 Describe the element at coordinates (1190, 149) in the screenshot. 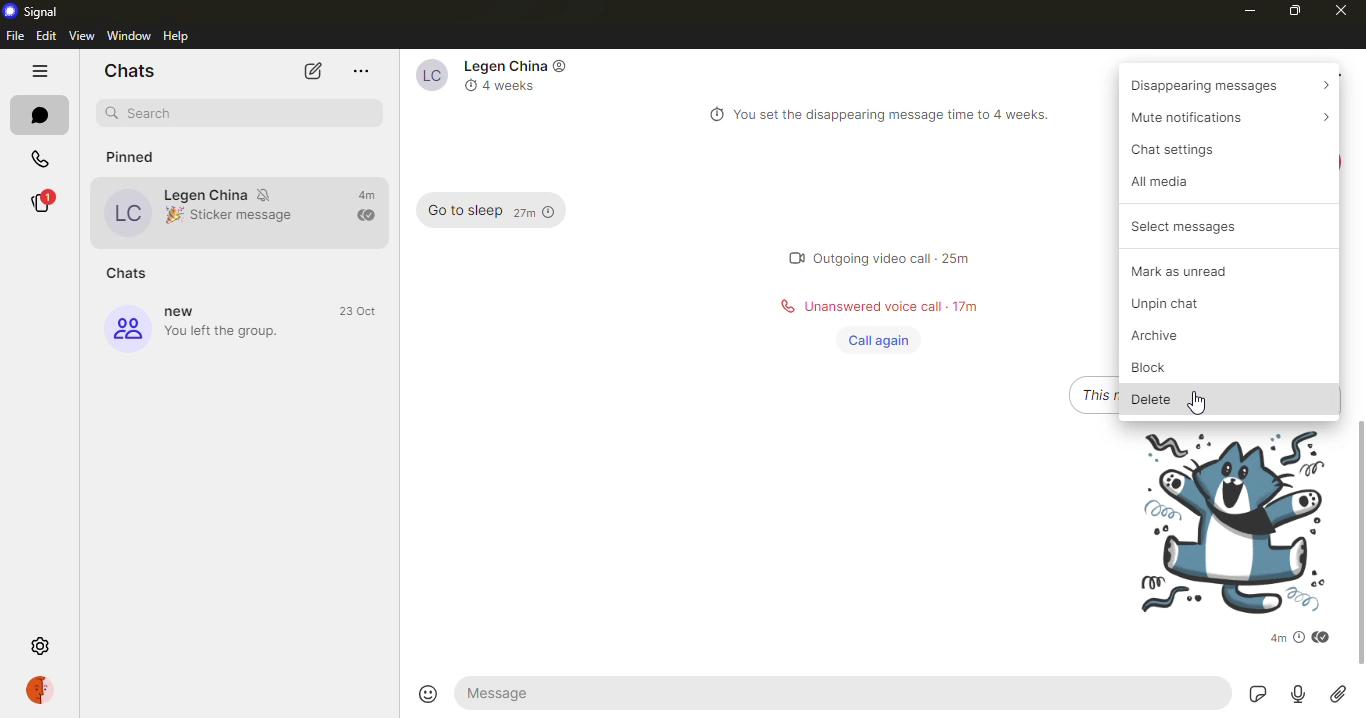

I see `chat settings` at that location.